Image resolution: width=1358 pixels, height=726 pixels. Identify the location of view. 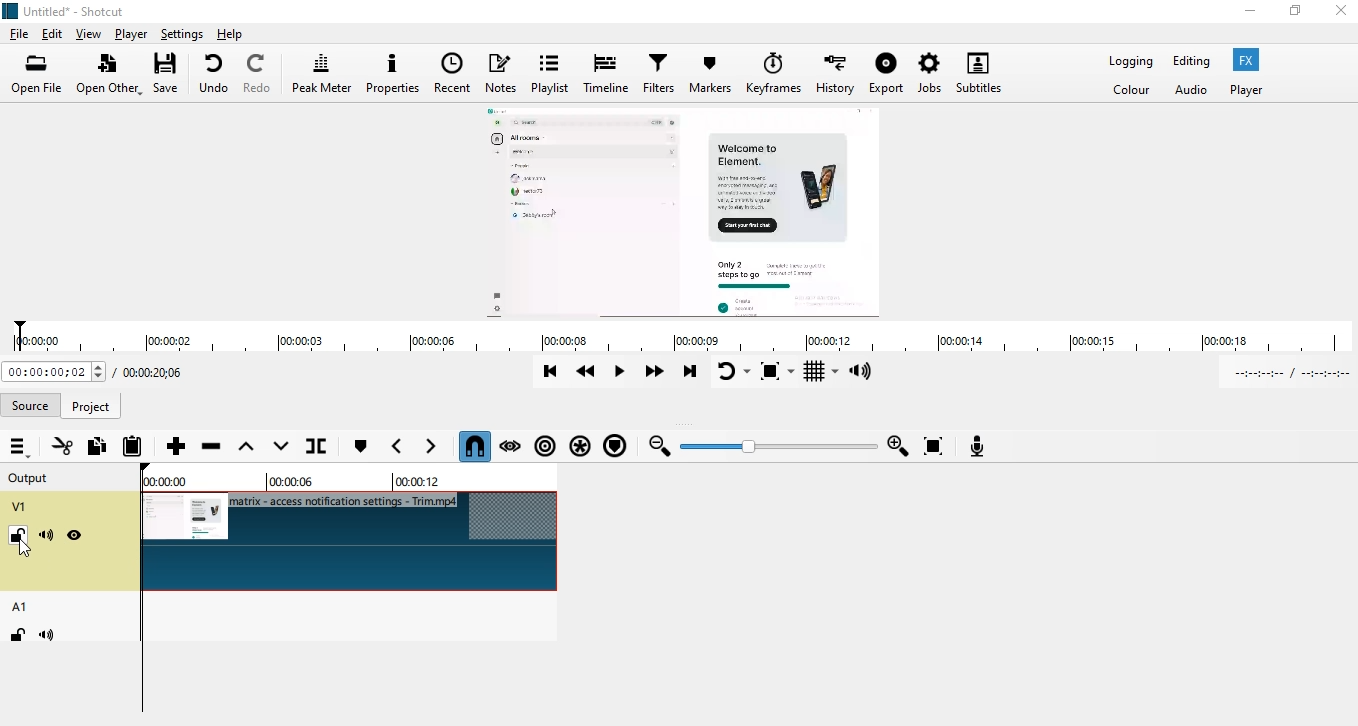
(91, 32).